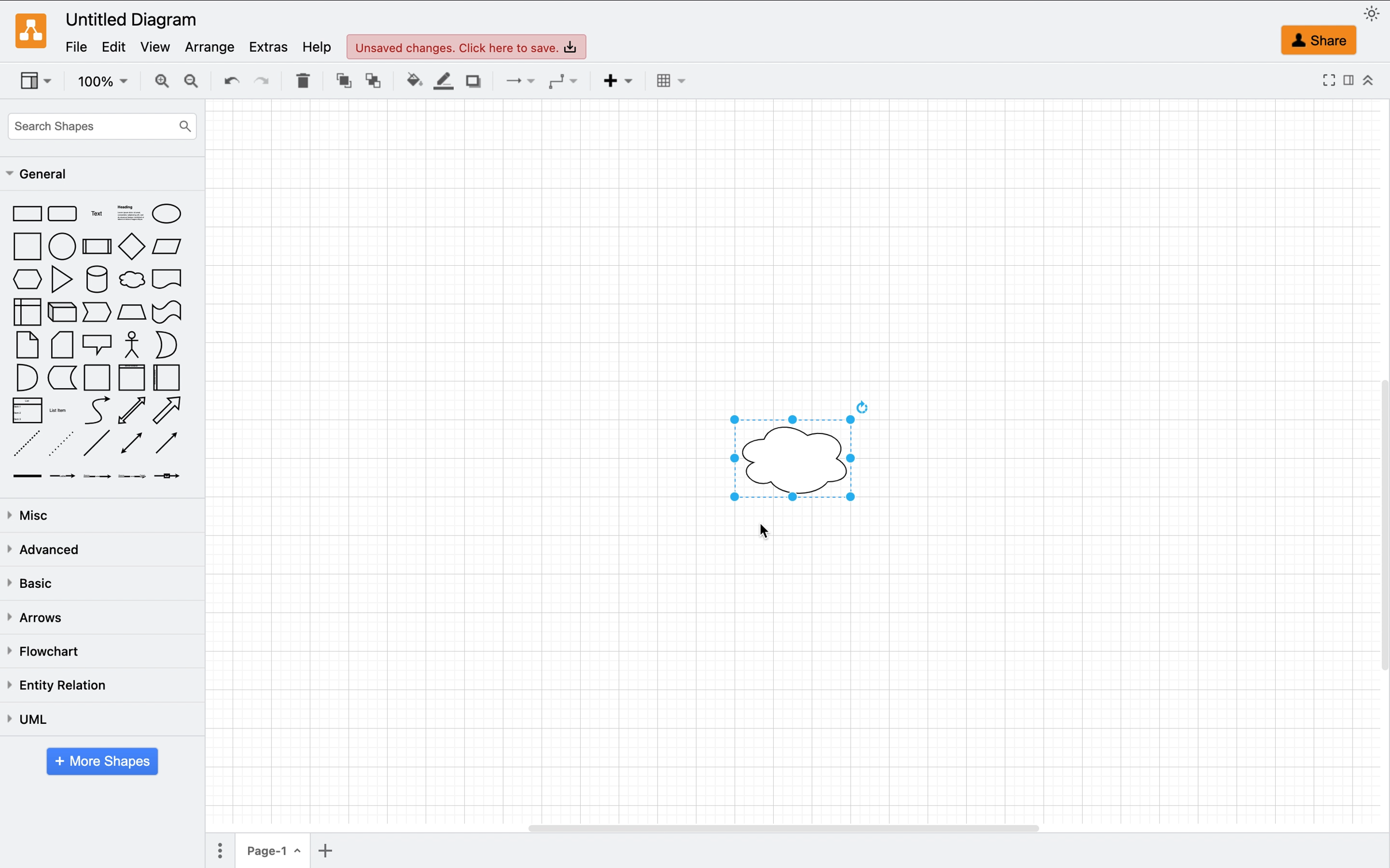  I want to click on arrange, so click(214, 46).